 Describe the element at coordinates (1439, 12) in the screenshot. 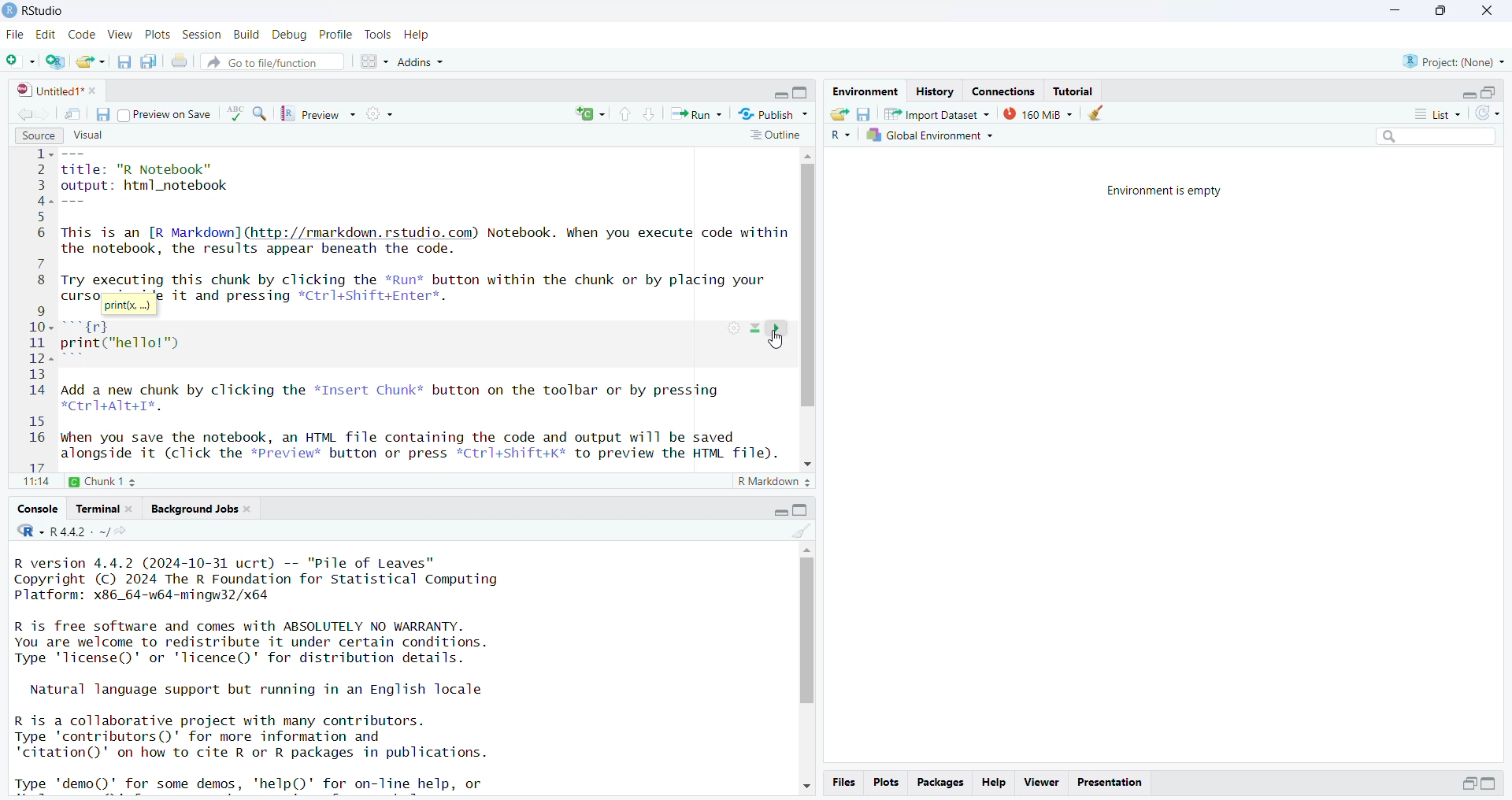

I see `maximize` at that location.